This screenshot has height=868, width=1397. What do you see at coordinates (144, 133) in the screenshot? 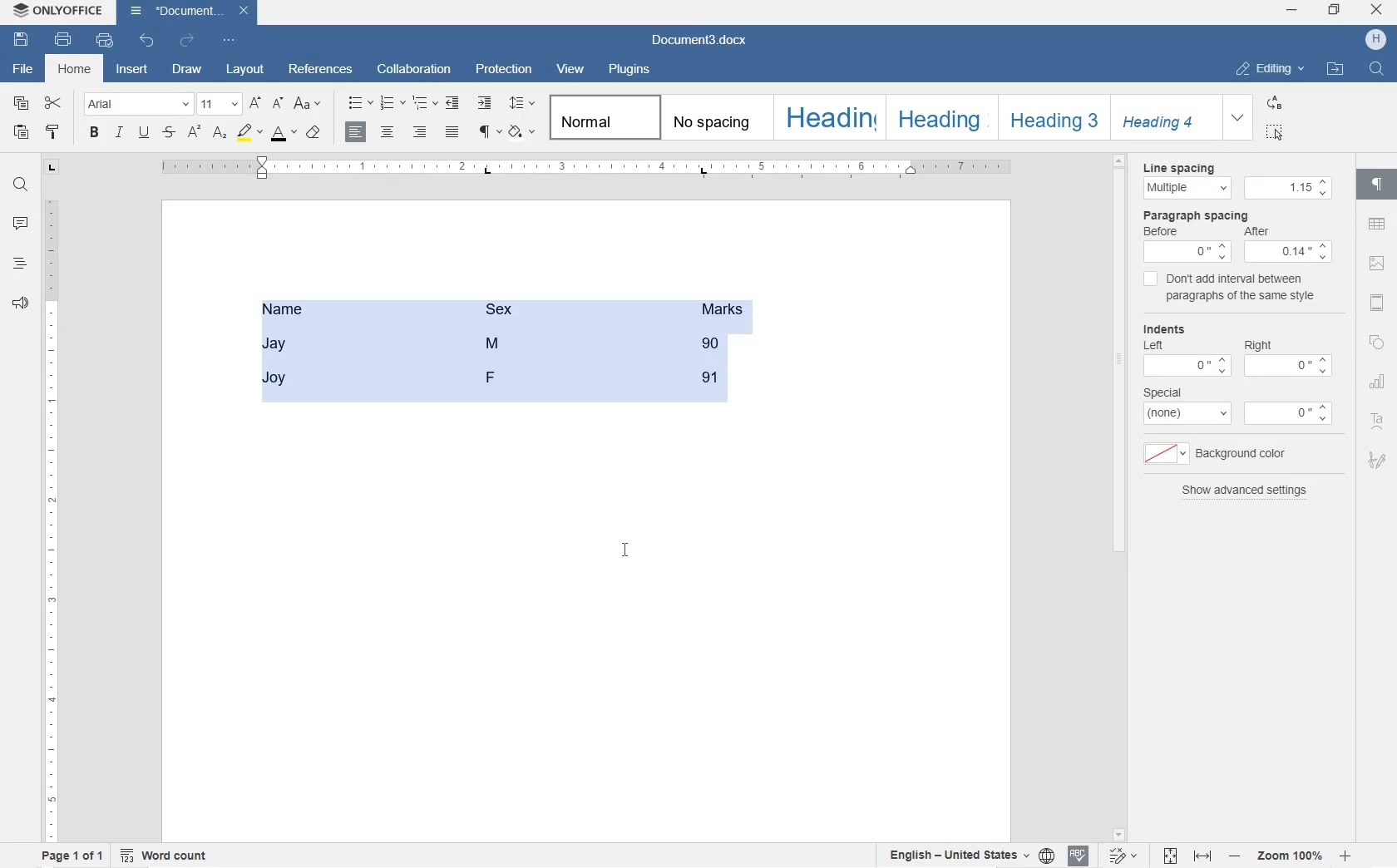
I see `UNDERLINE` at bounding box center [144, 133].